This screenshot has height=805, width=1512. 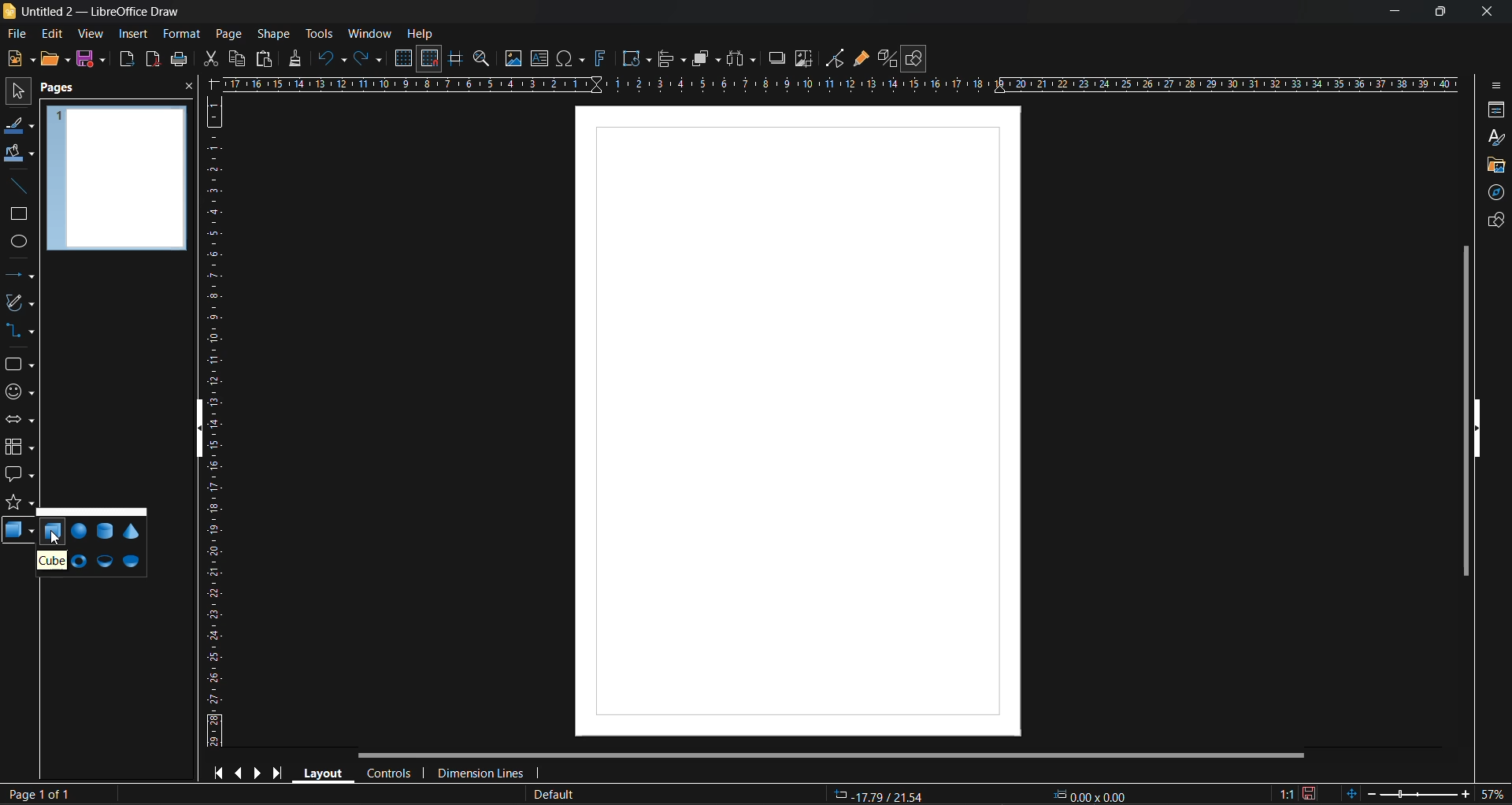 I want to click on select, so click(x=14, y=94).